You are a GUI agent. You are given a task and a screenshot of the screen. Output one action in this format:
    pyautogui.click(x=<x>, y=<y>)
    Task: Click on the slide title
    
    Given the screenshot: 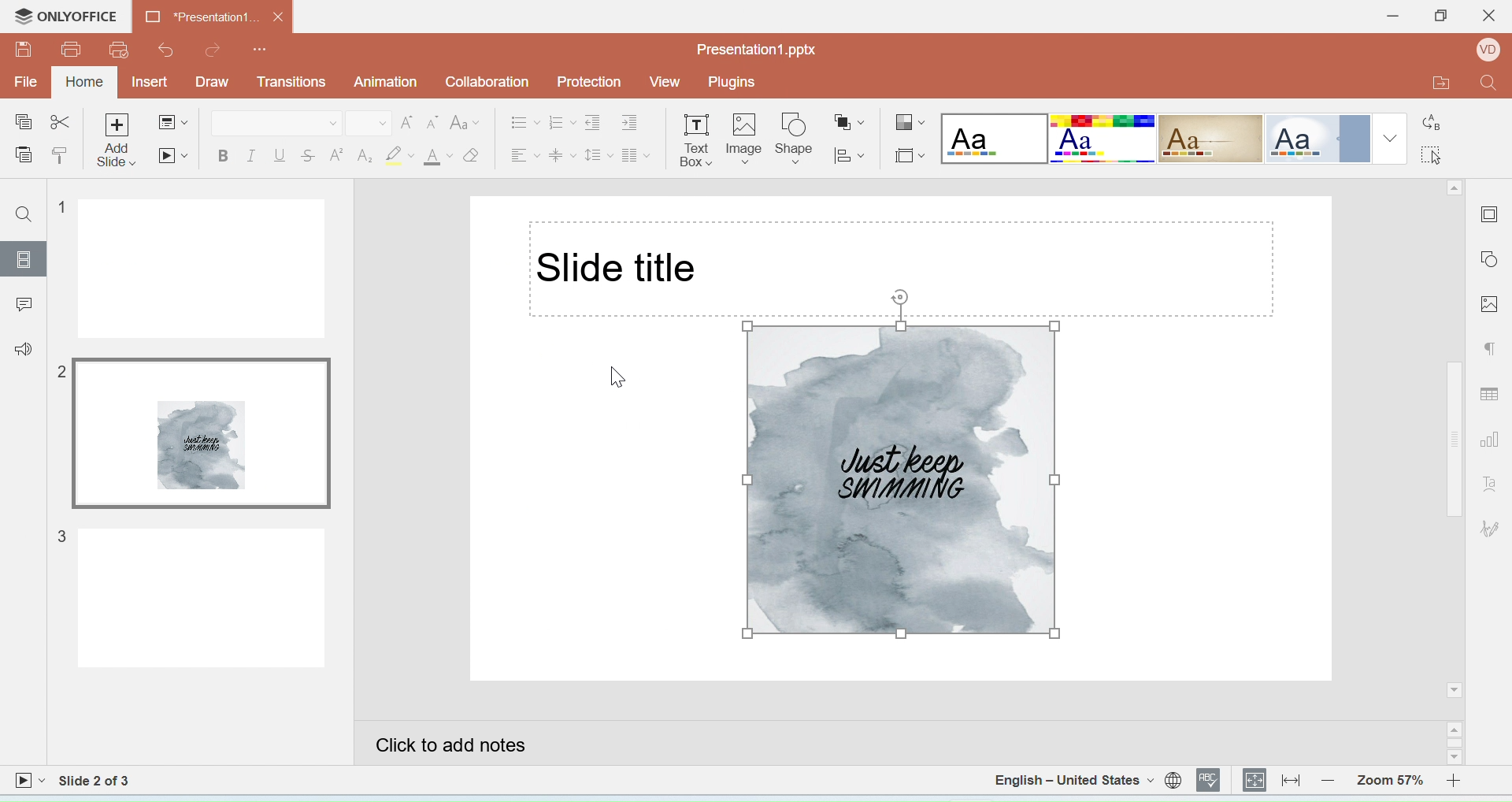 What is the action you would take?
    pyautogui.click(x=621, y=269)
    